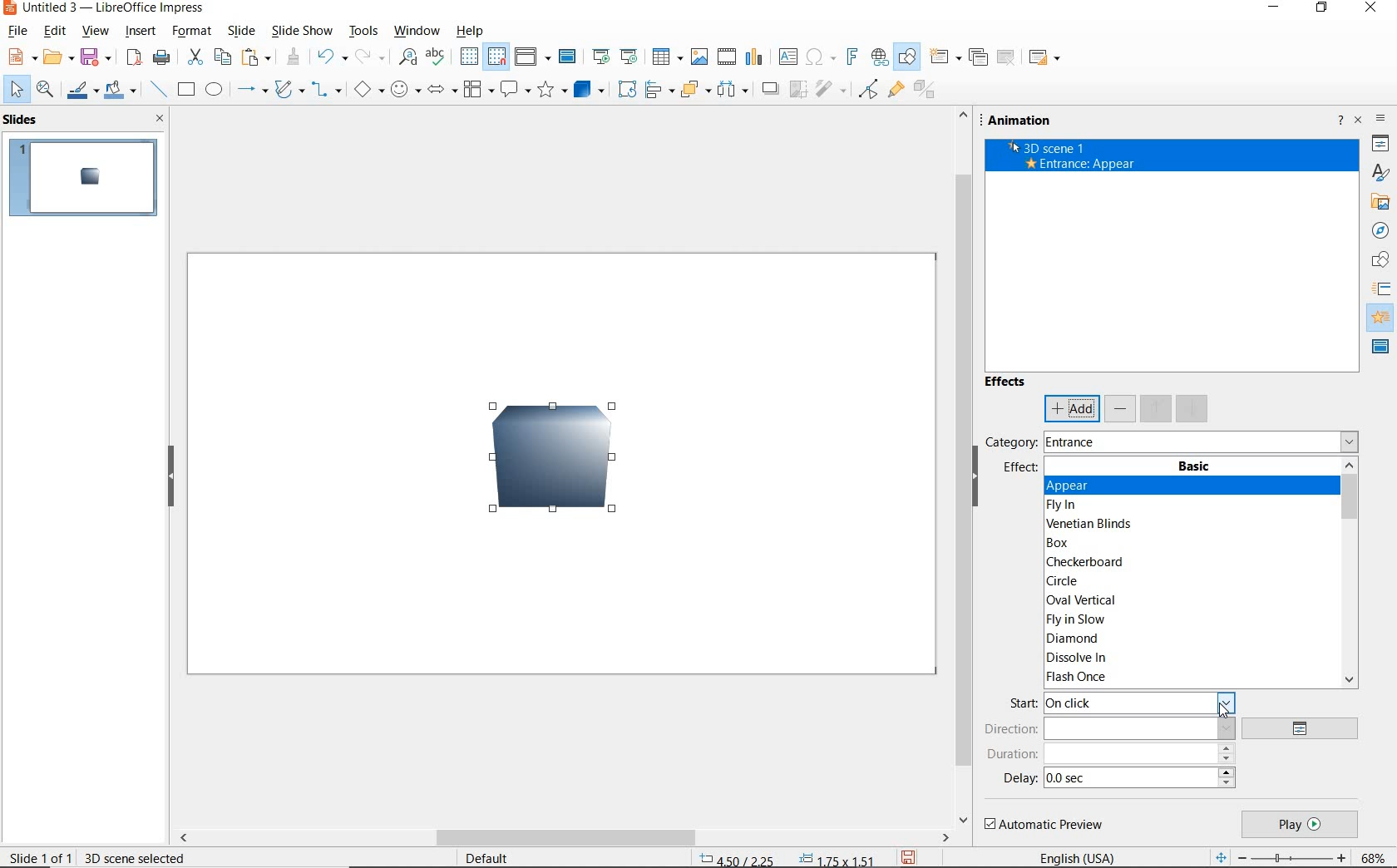 This screenshot has height=868, width=1397. I want to click on close, so click(1360, 119).